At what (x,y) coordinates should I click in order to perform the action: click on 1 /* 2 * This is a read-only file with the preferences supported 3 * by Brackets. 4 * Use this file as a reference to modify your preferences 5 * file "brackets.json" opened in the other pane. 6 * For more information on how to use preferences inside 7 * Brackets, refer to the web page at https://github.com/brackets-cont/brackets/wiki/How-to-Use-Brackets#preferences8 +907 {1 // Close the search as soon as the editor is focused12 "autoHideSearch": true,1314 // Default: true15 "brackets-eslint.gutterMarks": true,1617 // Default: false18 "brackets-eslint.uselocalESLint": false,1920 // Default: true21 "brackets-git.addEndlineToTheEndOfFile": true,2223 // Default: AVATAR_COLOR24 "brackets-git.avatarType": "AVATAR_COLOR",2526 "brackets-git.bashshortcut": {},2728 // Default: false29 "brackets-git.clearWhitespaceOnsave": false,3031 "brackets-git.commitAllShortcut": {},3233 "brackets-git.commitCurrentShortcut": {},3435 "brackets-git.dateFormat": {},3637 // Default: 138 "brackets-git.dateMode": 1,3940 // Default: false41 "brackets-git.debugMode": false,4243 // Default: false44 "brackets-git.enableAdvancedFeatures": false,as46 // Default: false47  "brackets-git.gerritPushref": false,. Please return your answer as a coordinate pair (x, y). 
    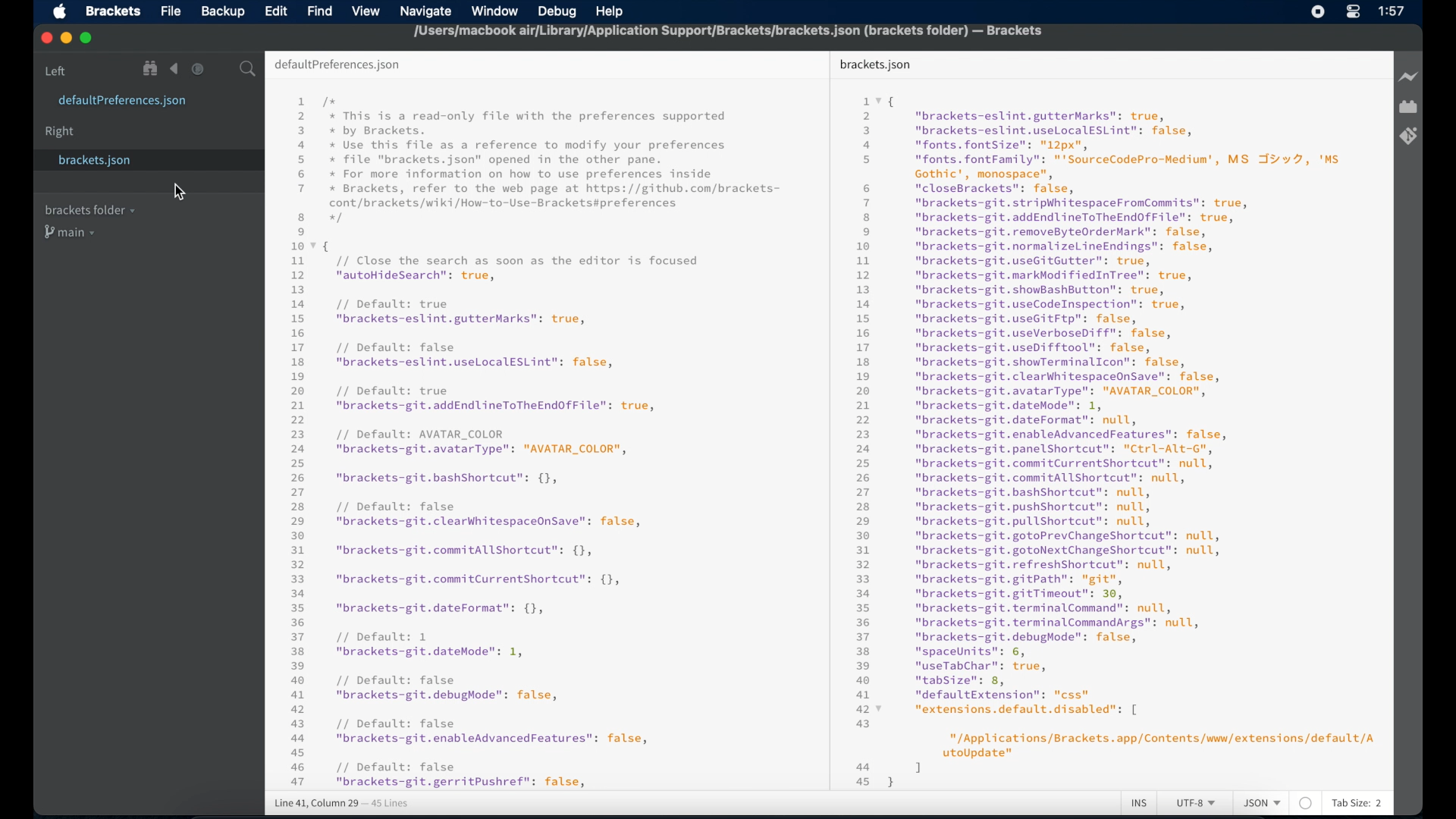
    Looking at the image, I should click on (538, 441).